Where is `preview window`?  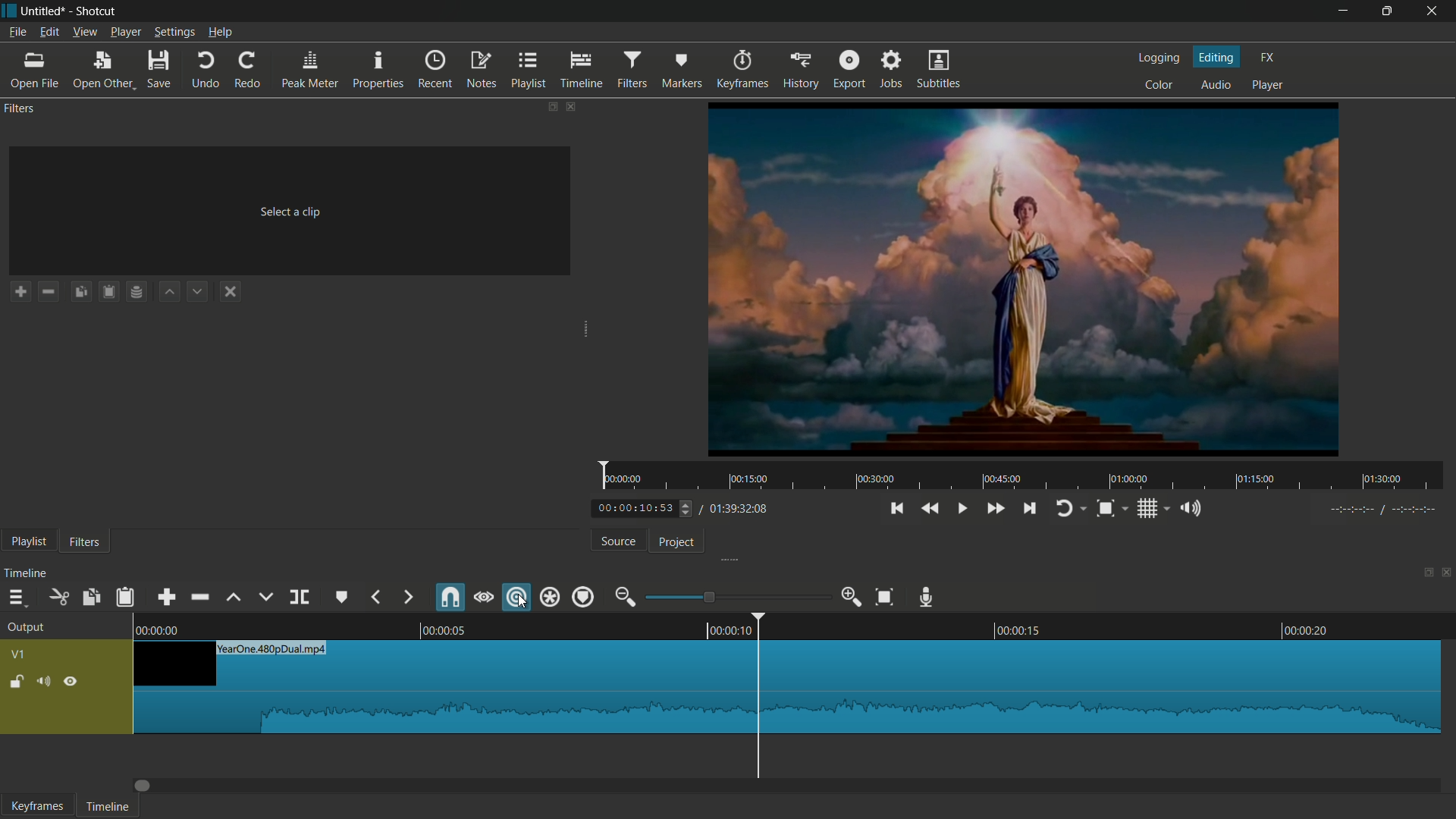
preview window is located at coordinates (1025, 279).